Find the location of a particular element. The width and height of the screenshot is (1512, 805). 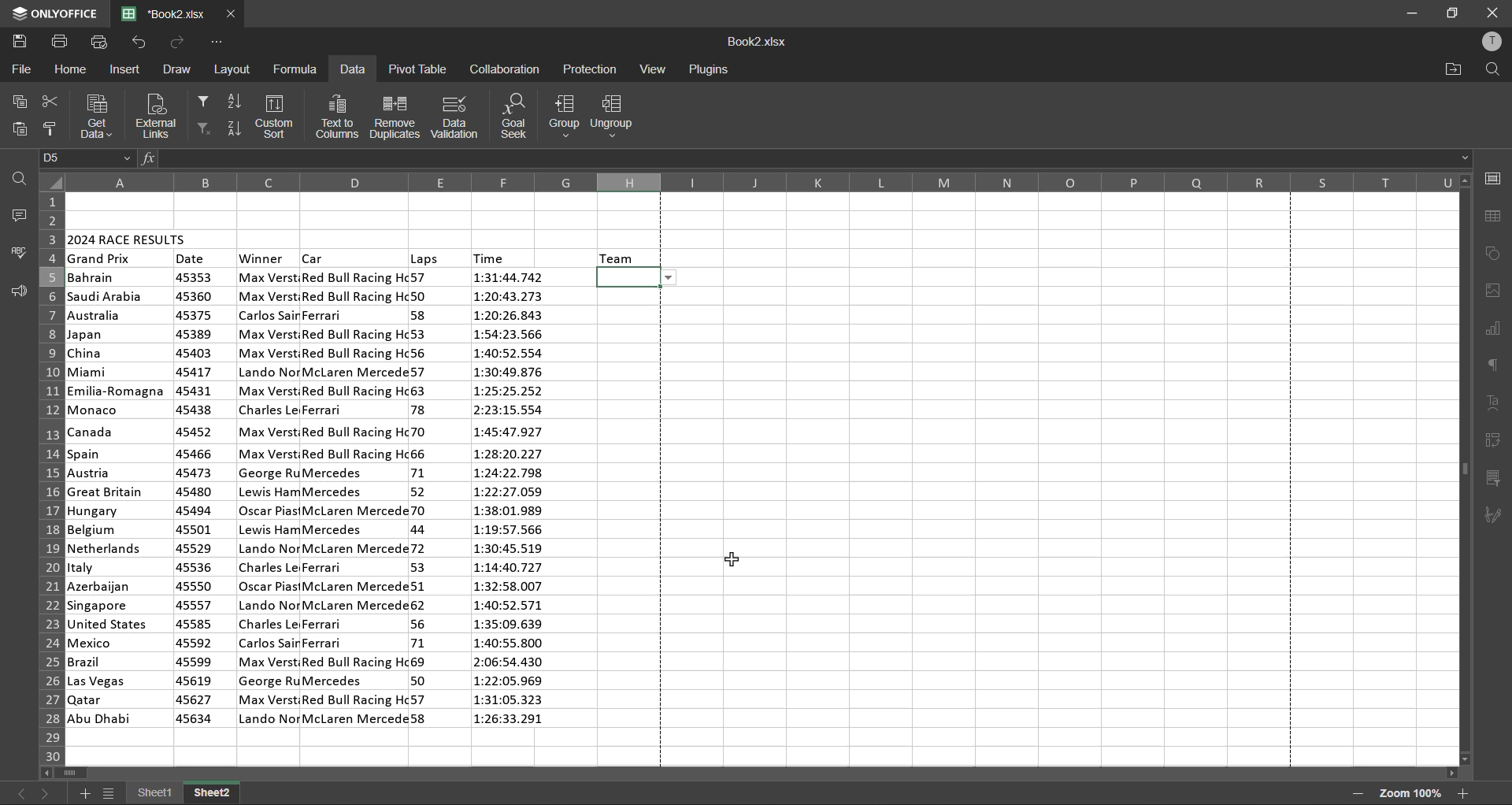

signature is located at coordinates (1496, 516).